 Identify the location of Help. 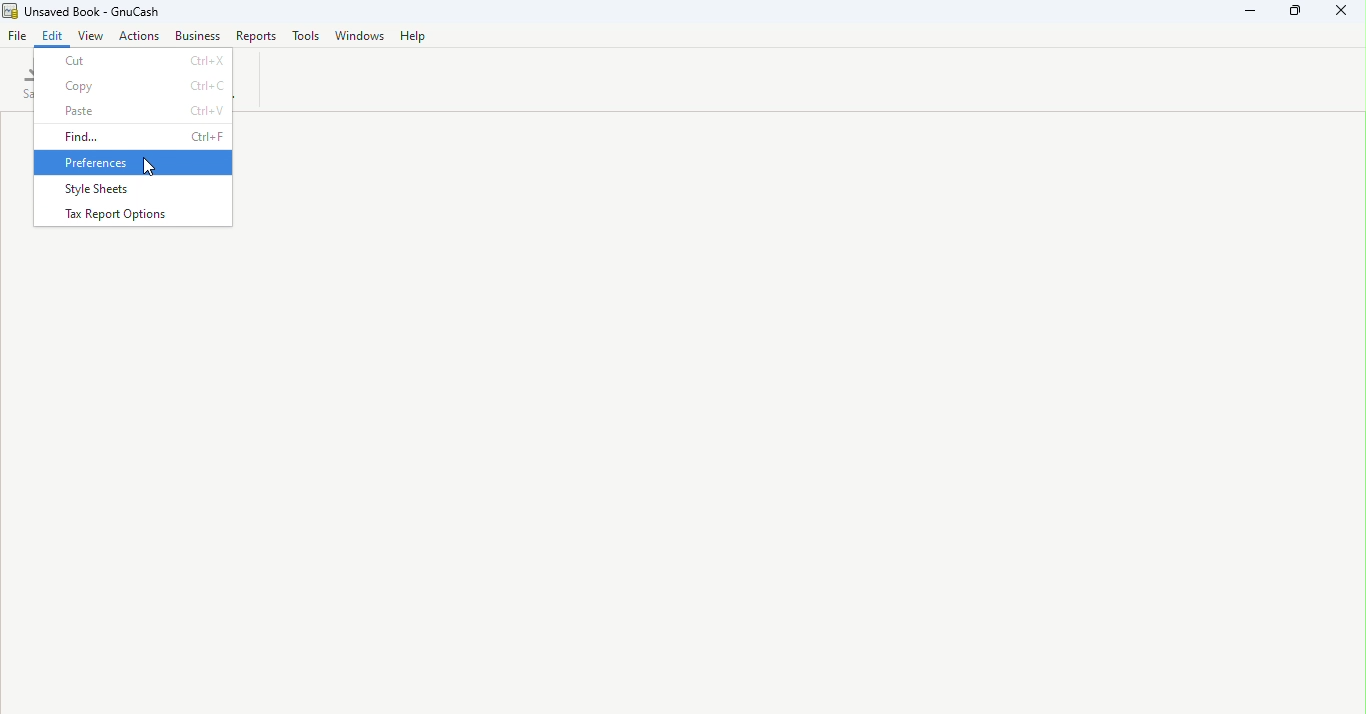
(424, 33).